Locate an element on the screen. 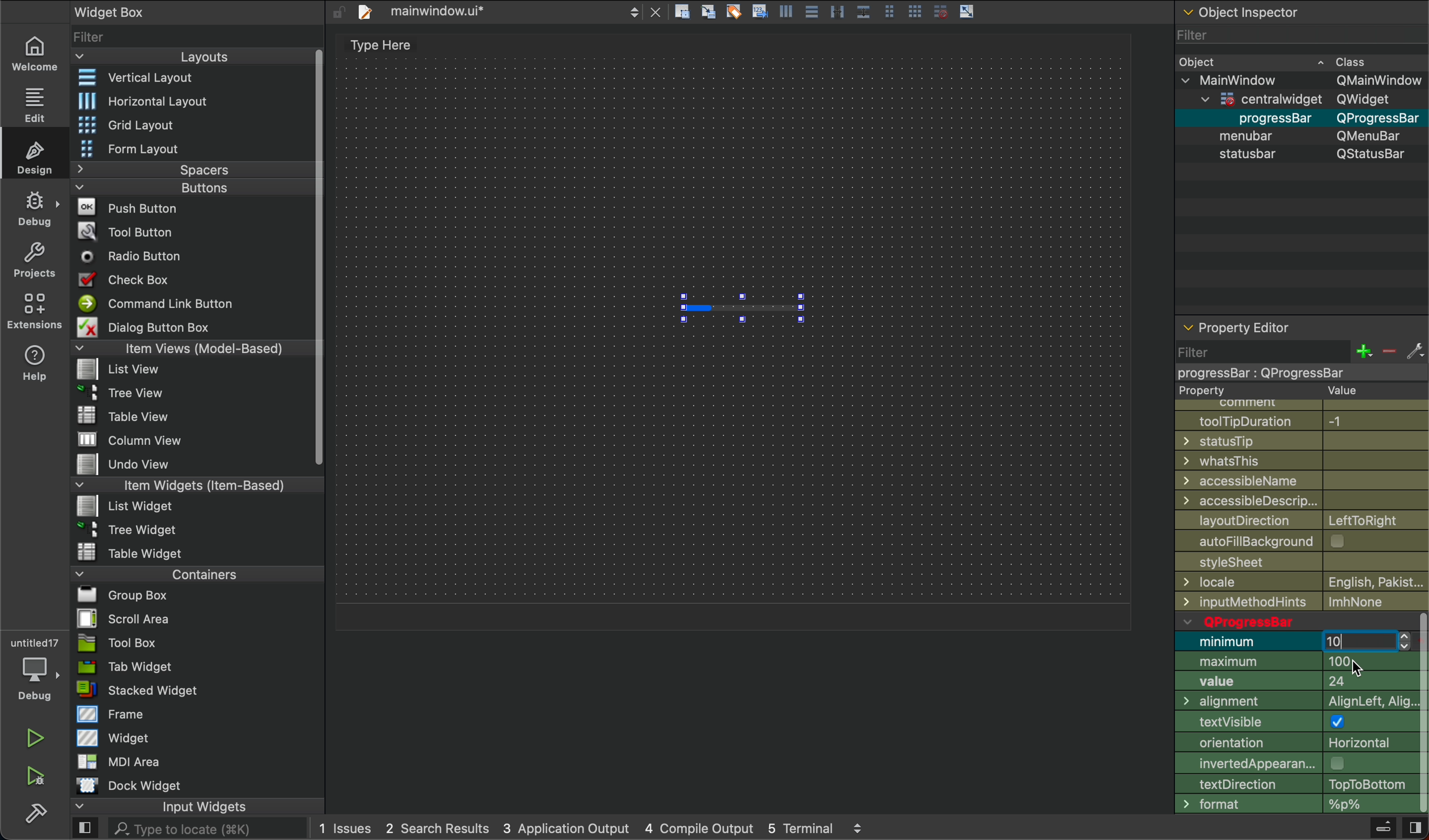 The width and height of the screenshot is (1429, 840). debug is located at coordinates (36, 209).